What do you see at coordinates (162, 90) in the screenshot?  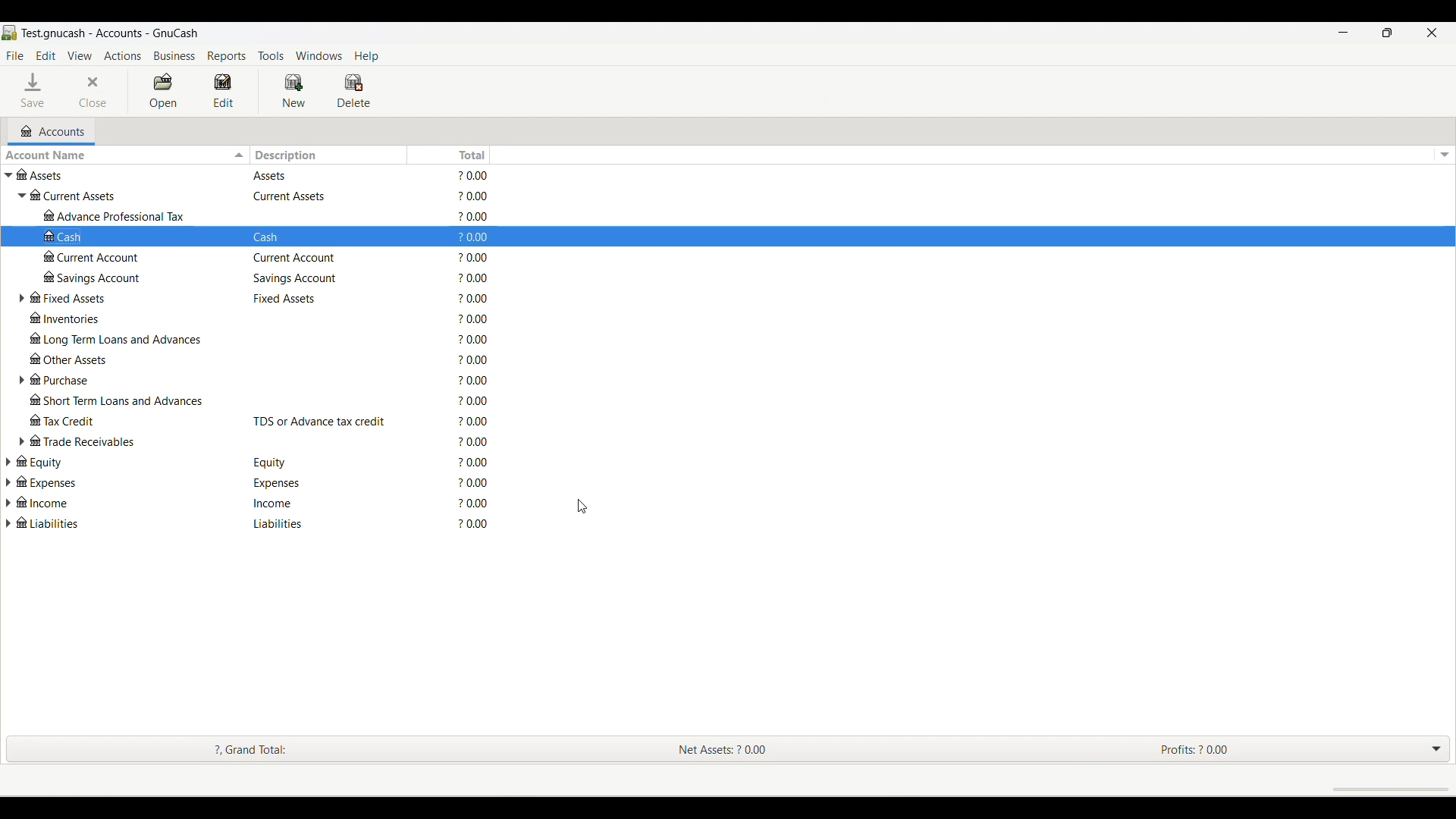 I see `Open` at bounding box center [162, 90].